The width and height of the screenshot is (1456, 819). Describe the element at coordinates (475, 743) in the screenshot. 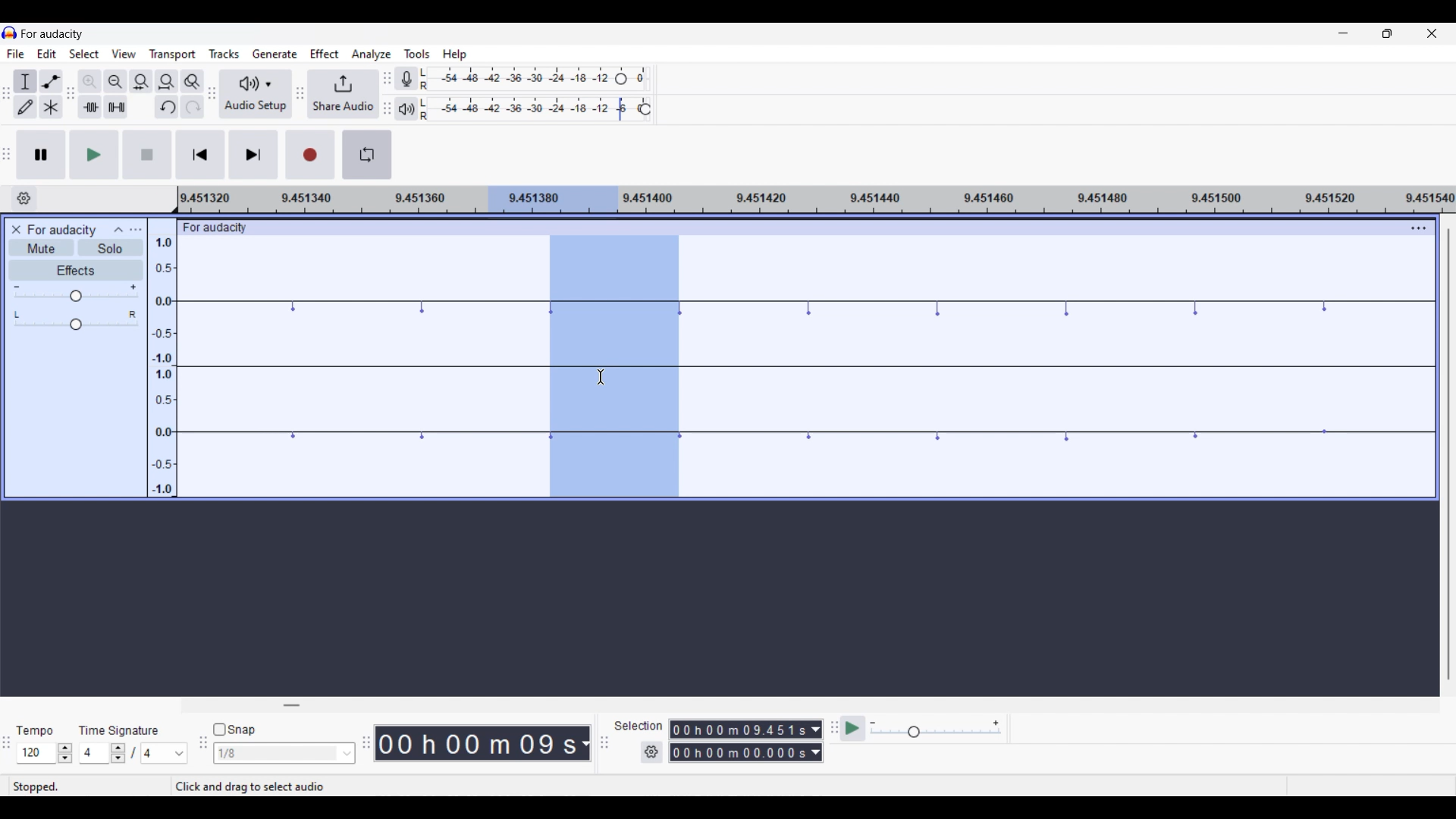

I see `Current duration of playhead` at that location.